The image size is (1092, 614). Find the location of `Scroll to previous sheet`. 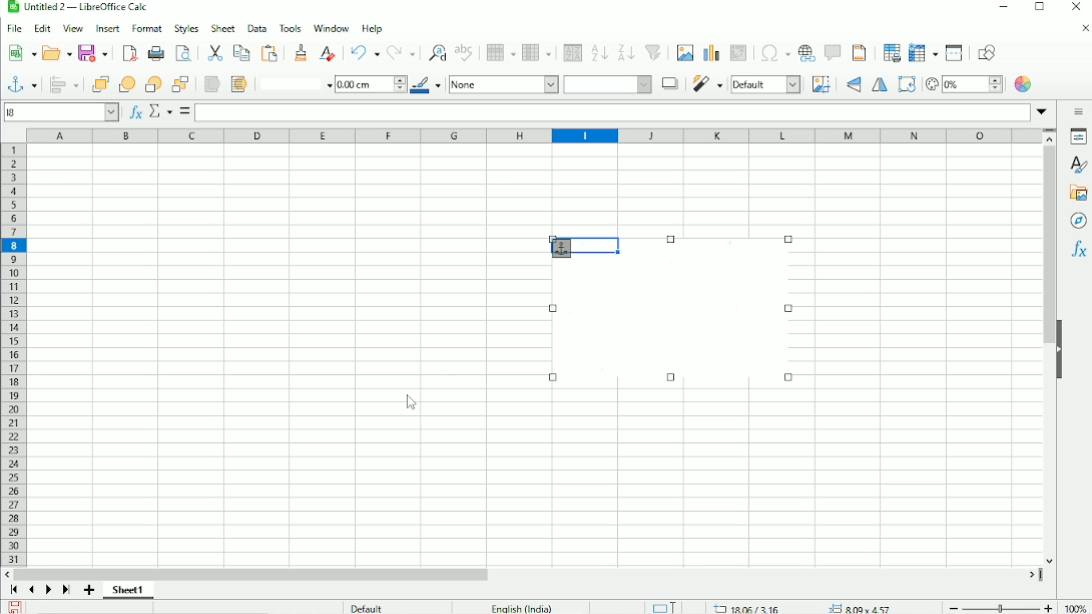

Scroll to previous sheet is located at coordinates (31, 590).